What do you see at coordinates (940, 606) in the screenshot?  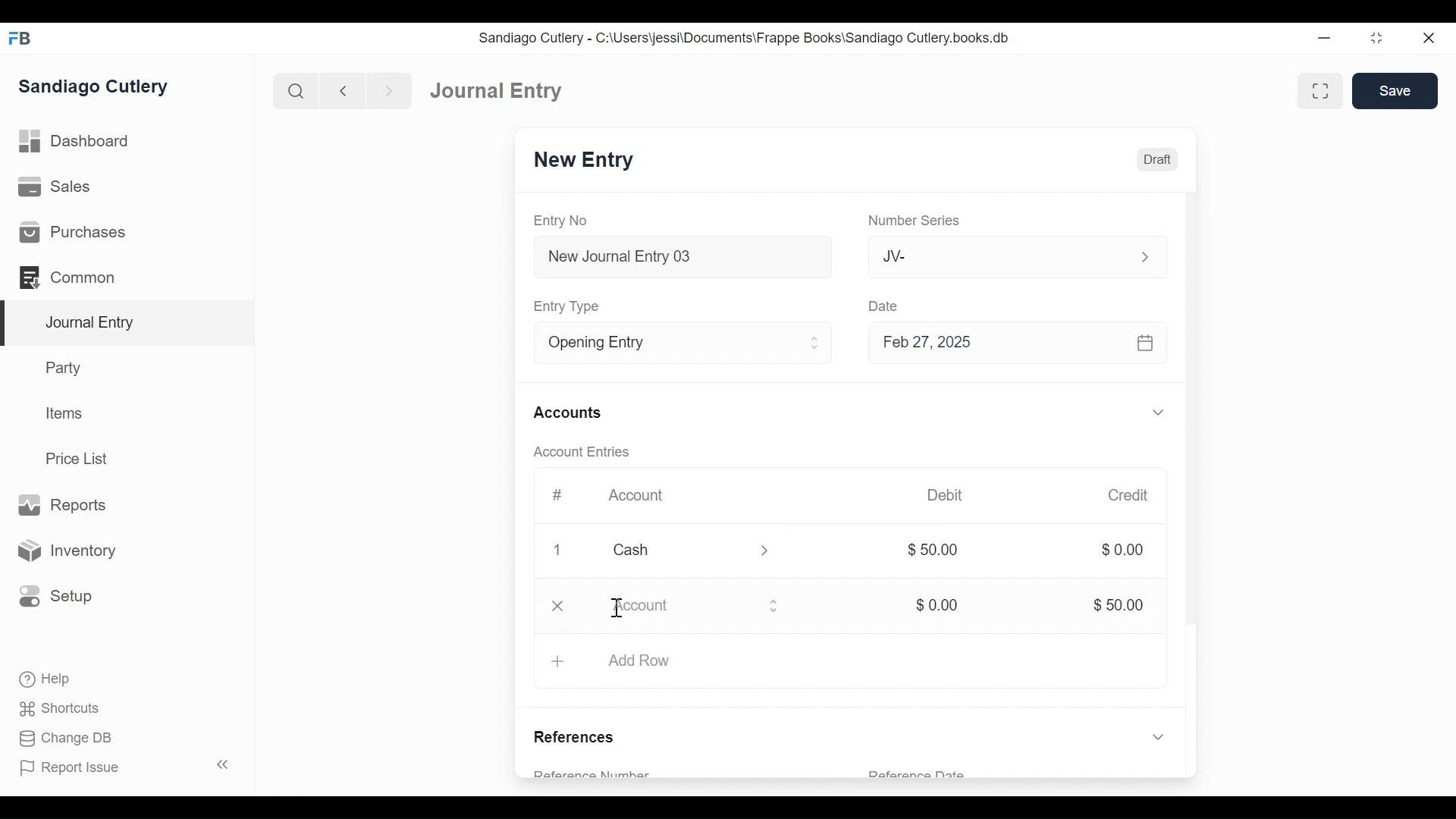 I see `$0.00` at bounding box center [940, 606].